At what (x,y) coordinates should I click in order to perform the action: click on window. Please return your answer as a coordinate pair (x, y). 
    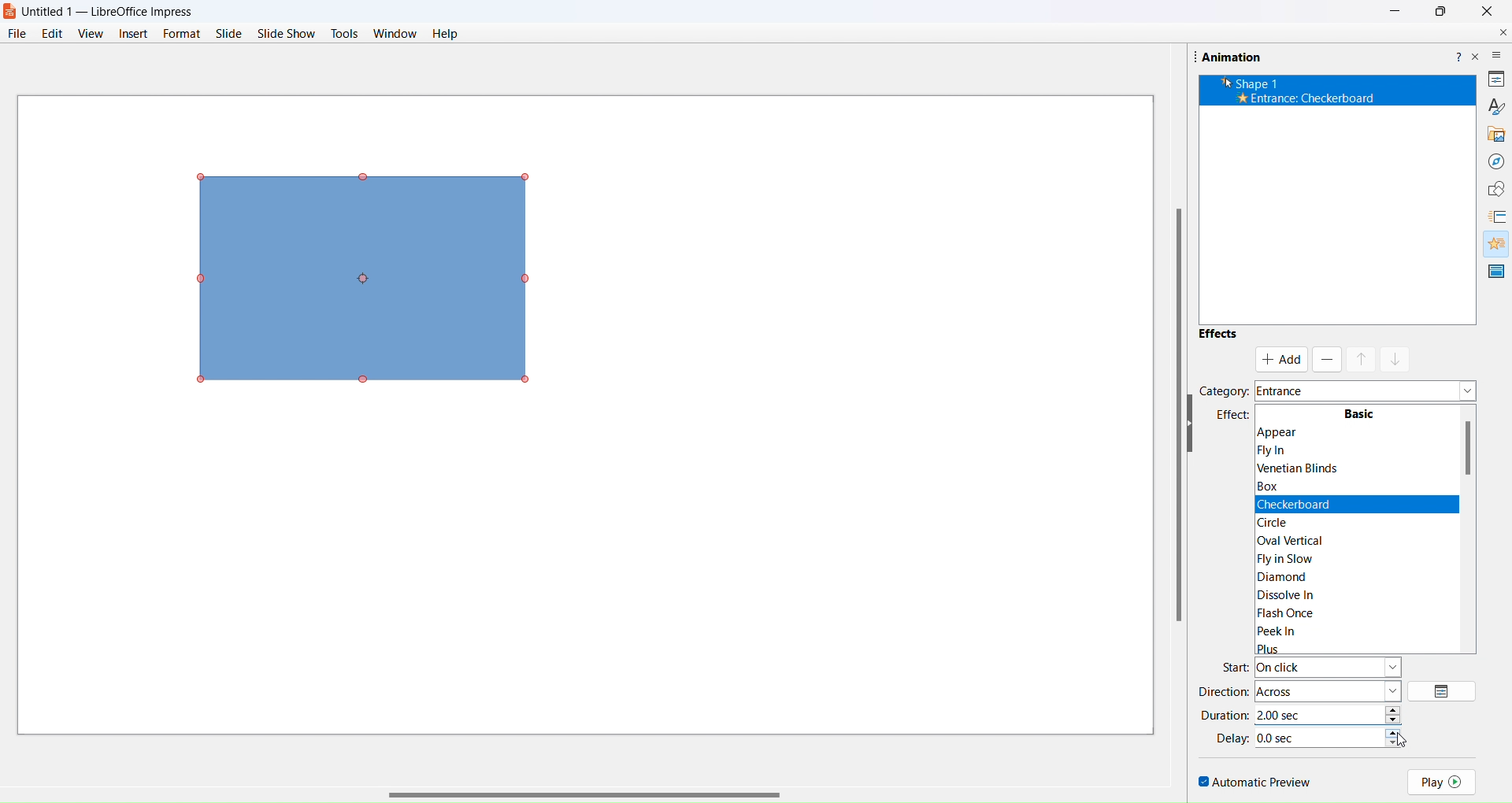
    Looking at the image, I should click on (396, 35).